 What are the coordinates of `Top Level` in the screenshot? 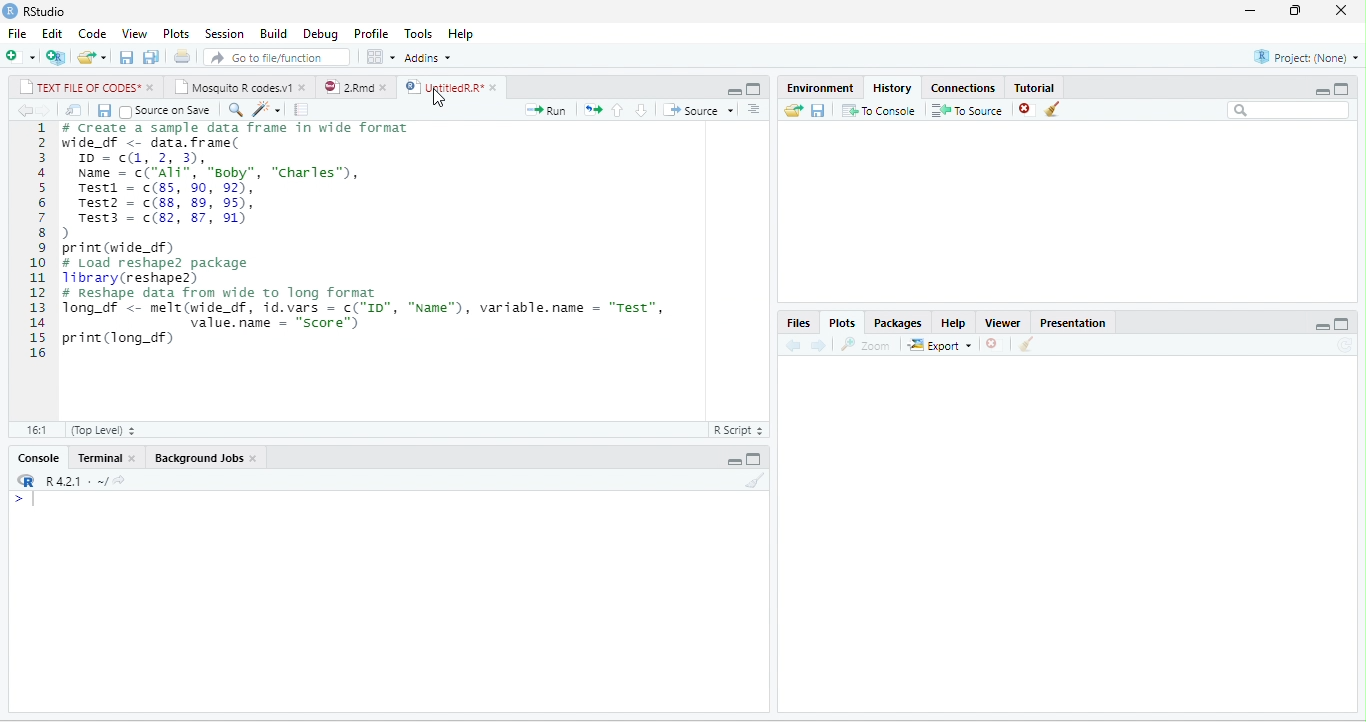 It's located at (104, 431).